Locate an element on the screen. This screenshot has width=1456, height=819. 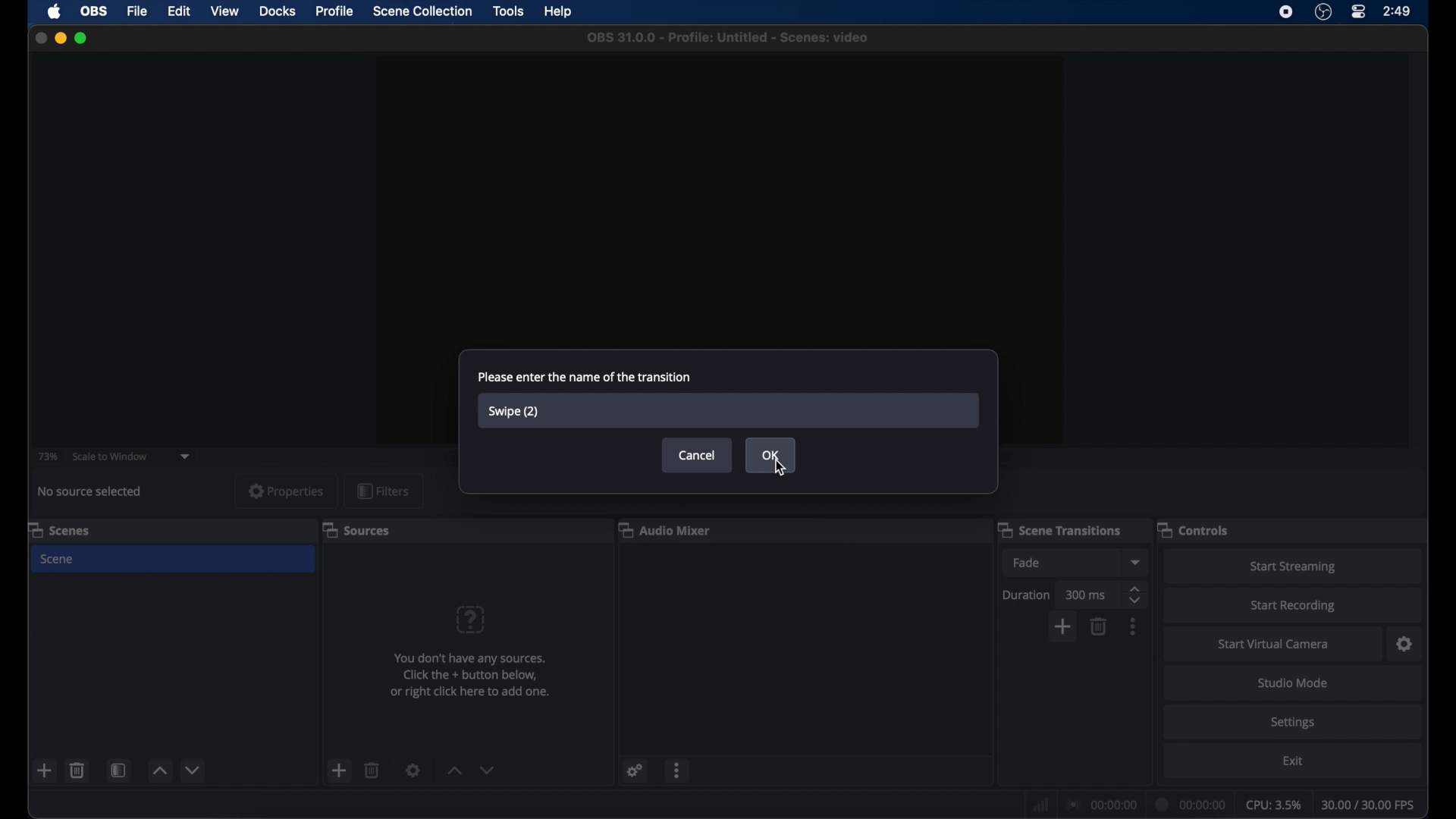
controls is located at coordinates (1195, 531).